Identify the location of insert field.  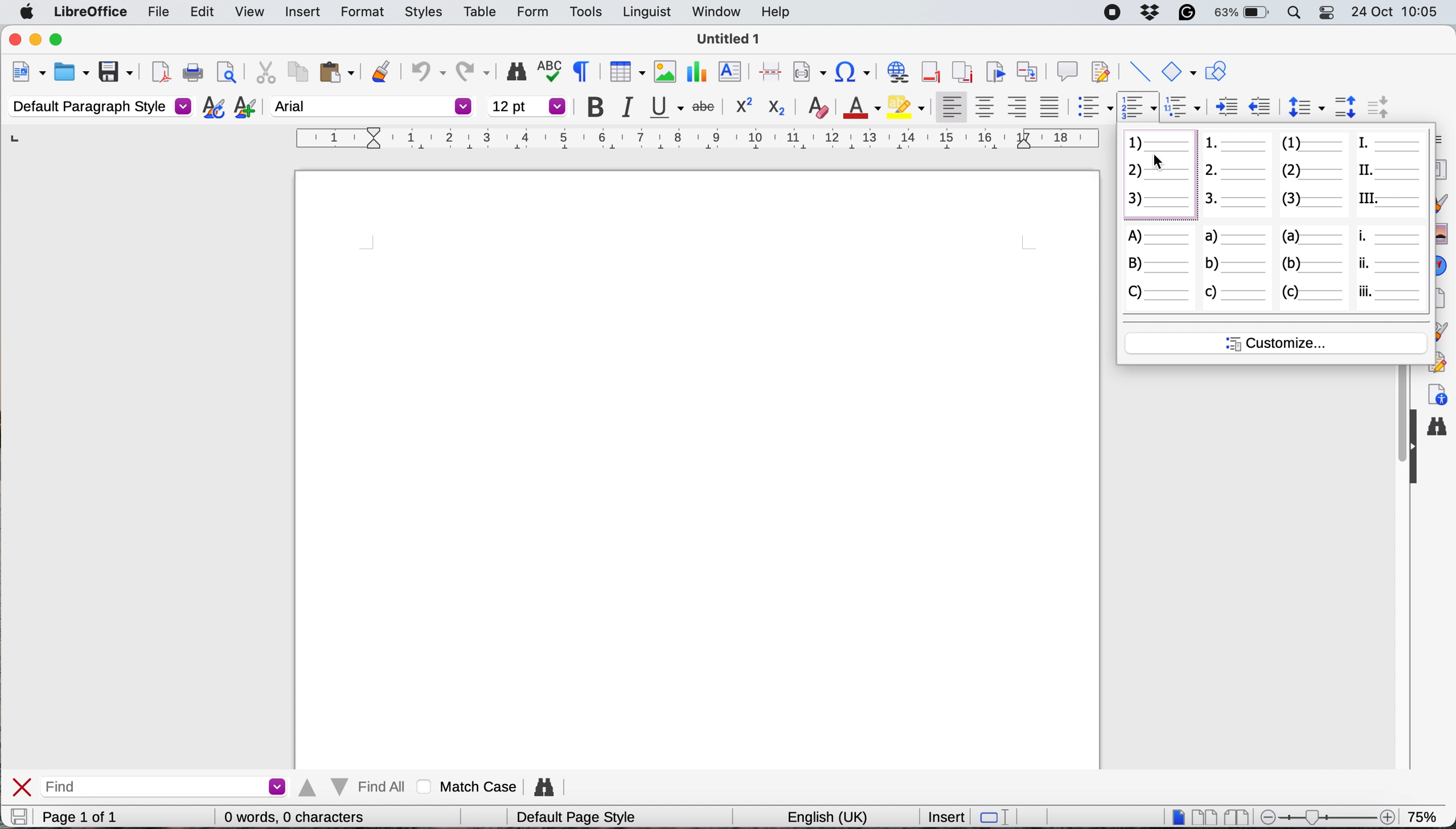
(809, 73).